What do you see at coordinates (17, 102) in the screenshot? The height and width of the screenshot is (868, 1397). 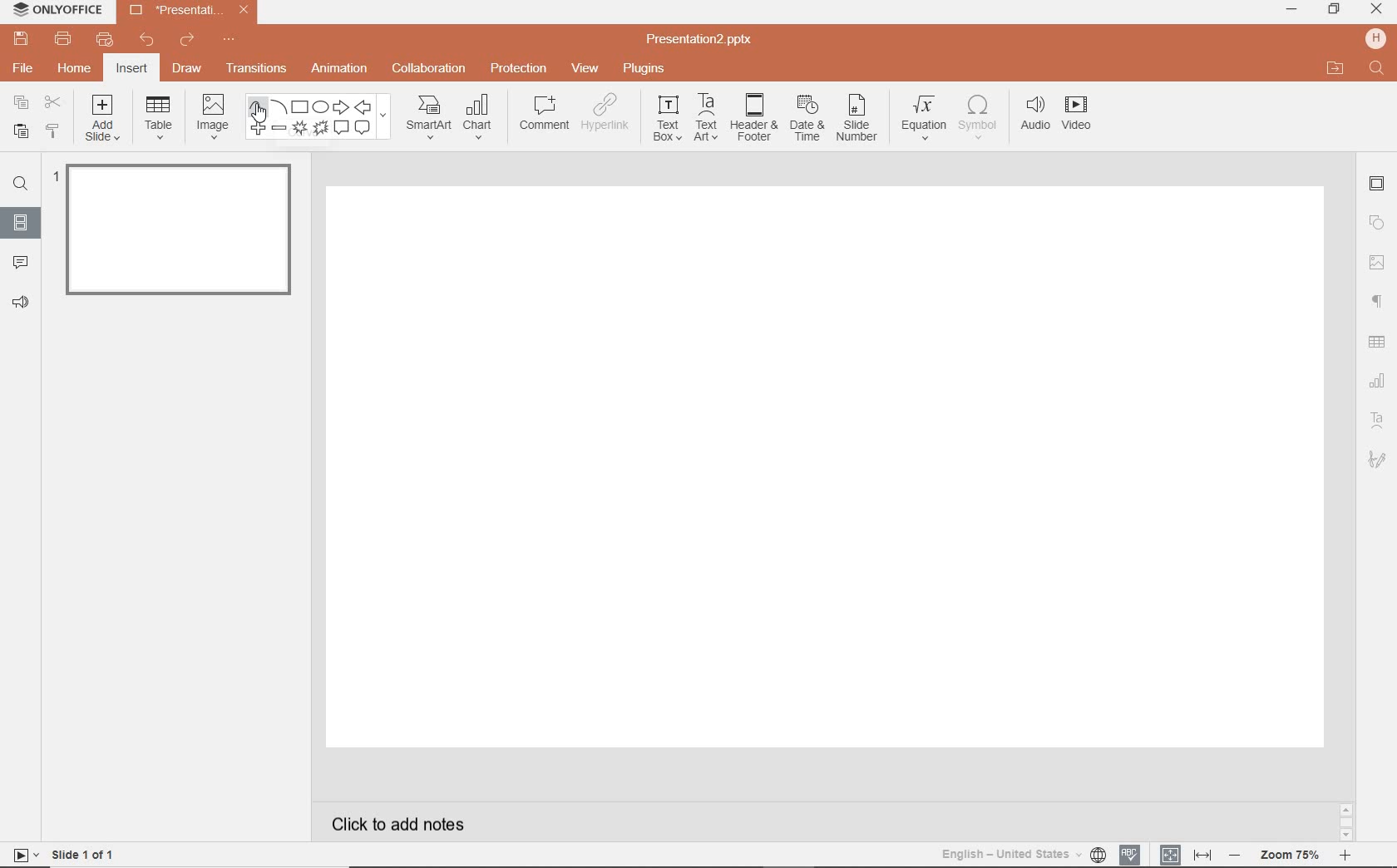 I see `COPY` at bounding box center [17, 102].